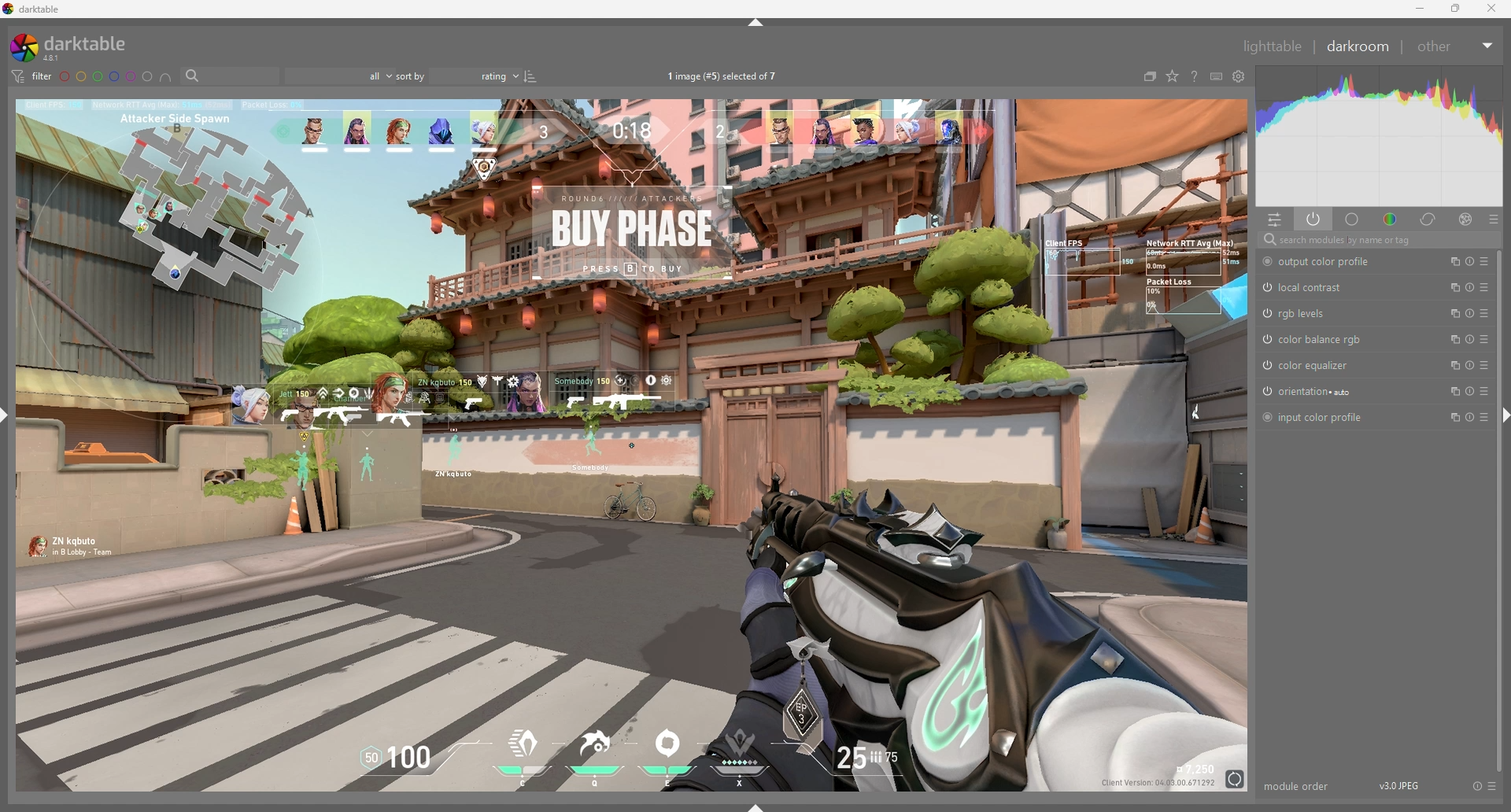 This screenshot has width=1511, height=812. What do you see at coordinates (1484, 261) in the screenshot?
I see `presets` at bounding box center [1484, 261].